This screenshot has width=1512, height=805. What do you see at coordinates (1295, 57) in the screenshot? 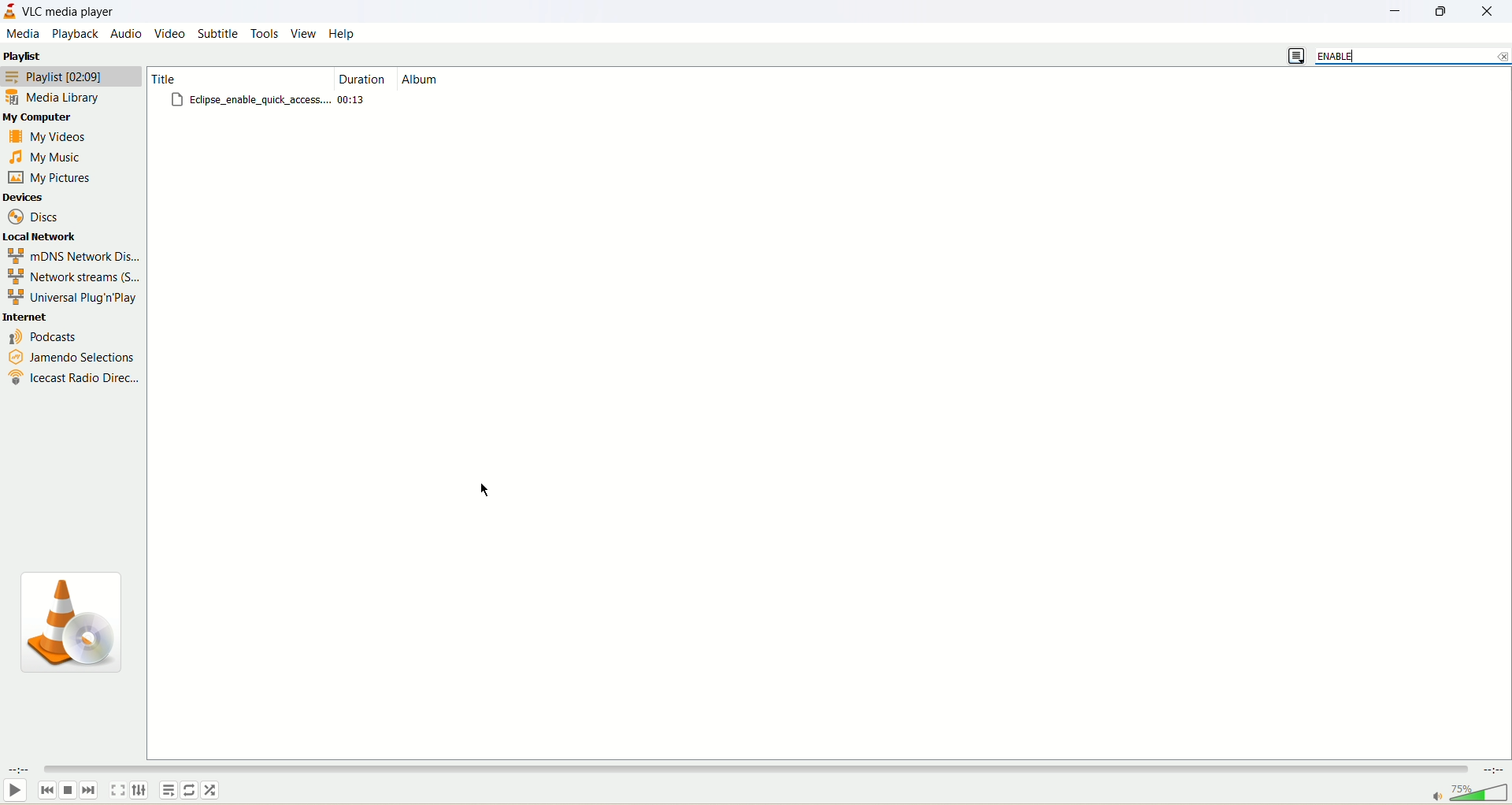
I see `change view` at bounding box center [1295, 57].